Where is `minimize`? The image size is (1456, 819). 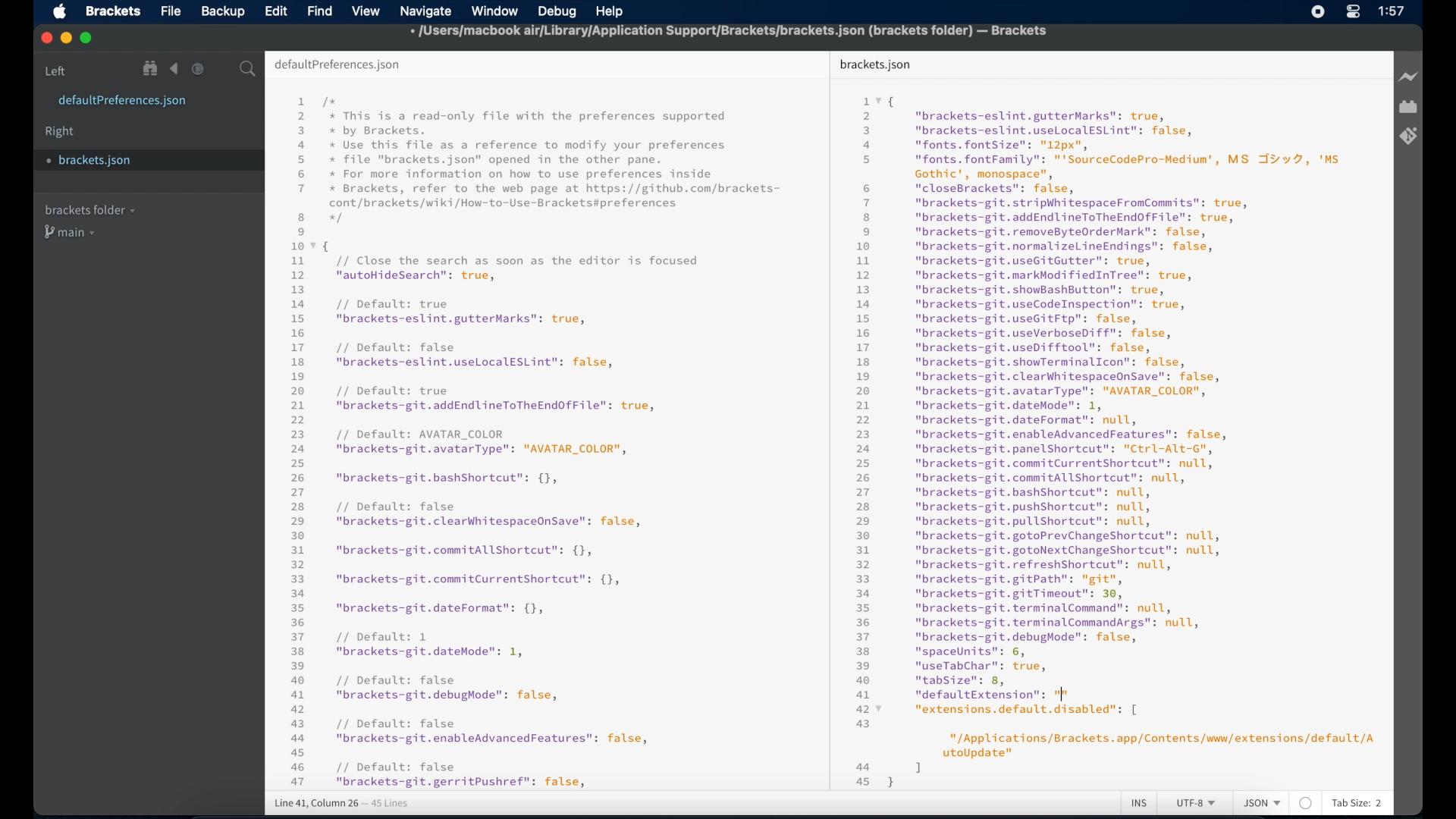
minimize is located at coordinates (66, 39).